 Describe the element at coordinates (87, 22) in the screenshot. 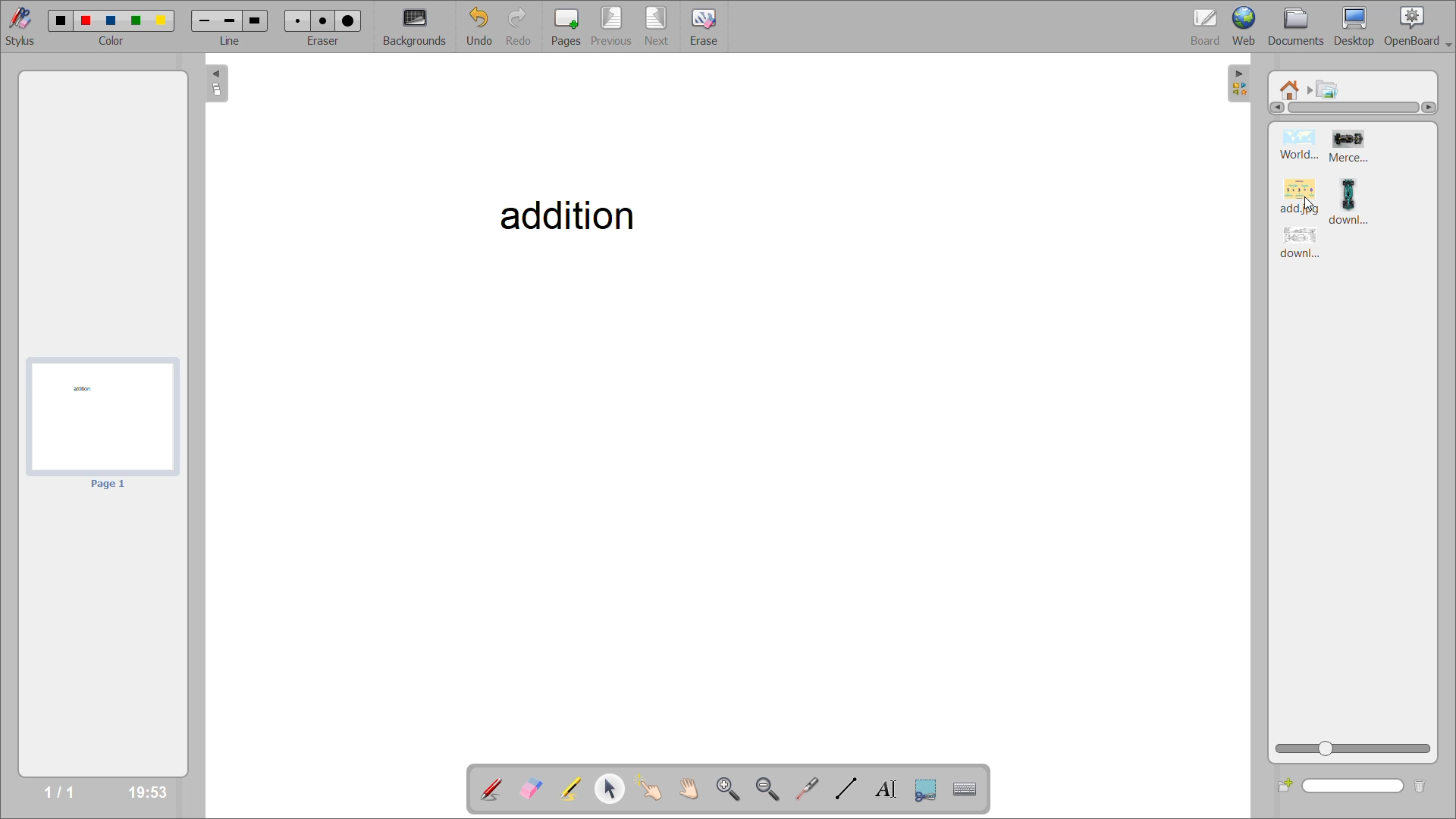

I see `color 2` at that location.